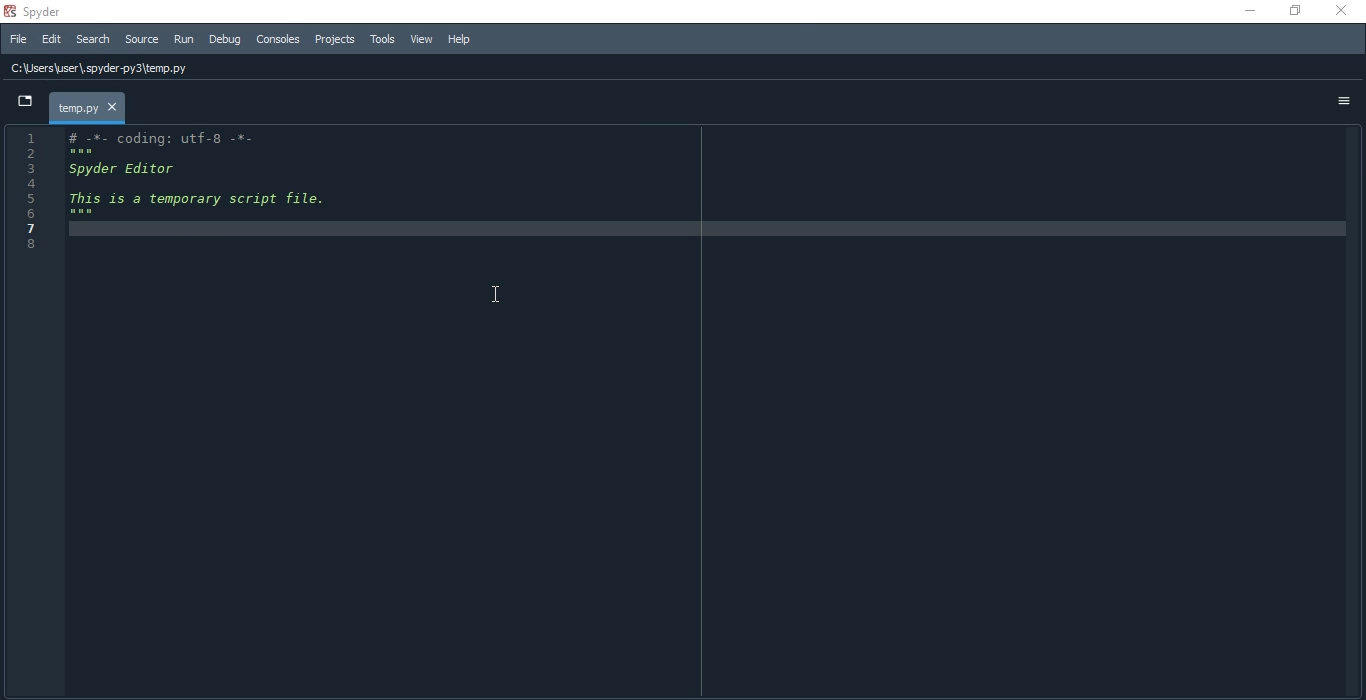 This screenshot has height=700, width=1366. What do you see at coordinates (280, 41) in the screenshot?
I see `Consoles` at bounding box center [280, 41].